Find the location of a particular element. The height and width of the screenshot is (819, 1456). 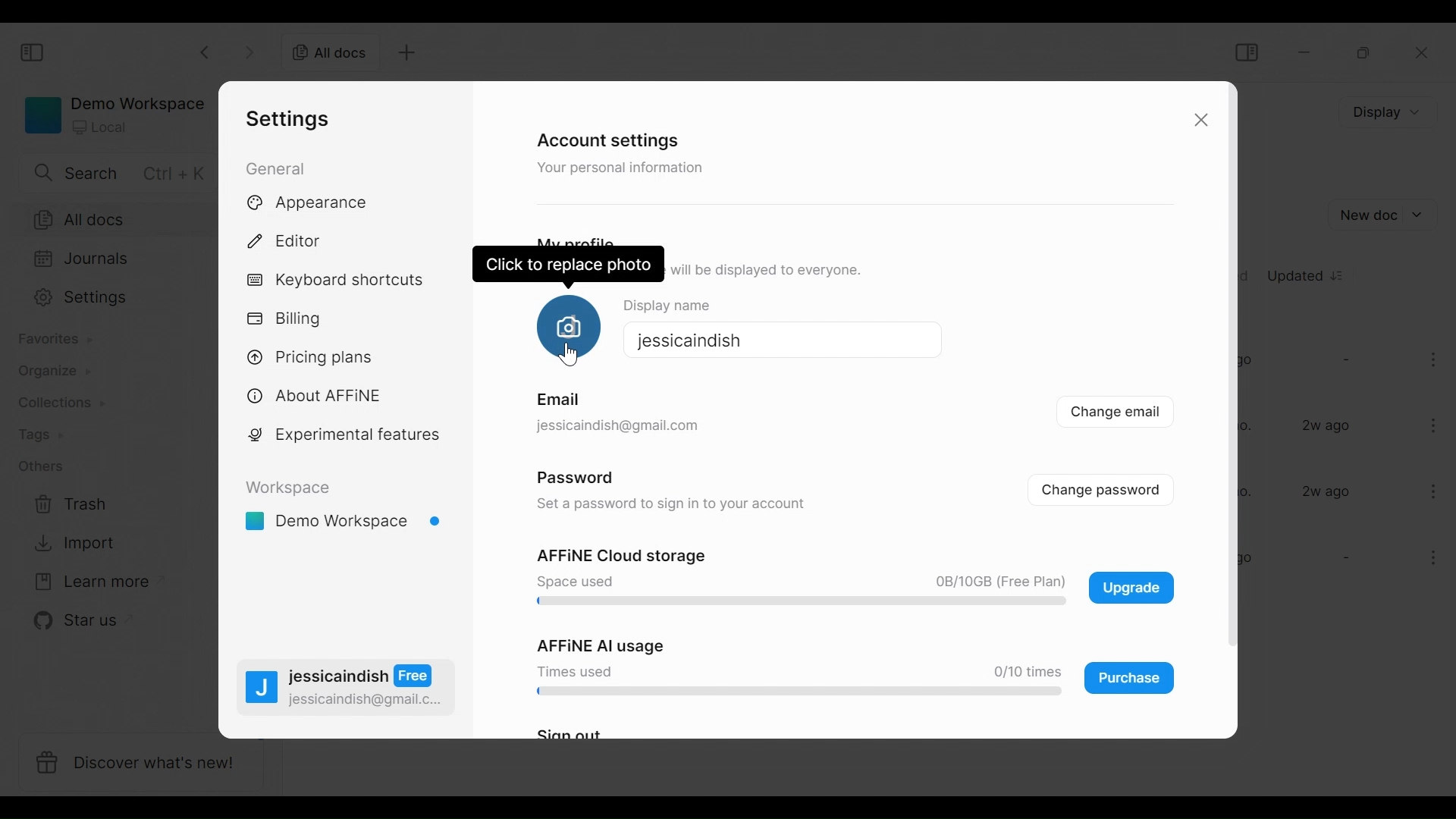

Account settings is located at coordinates (605, 139).